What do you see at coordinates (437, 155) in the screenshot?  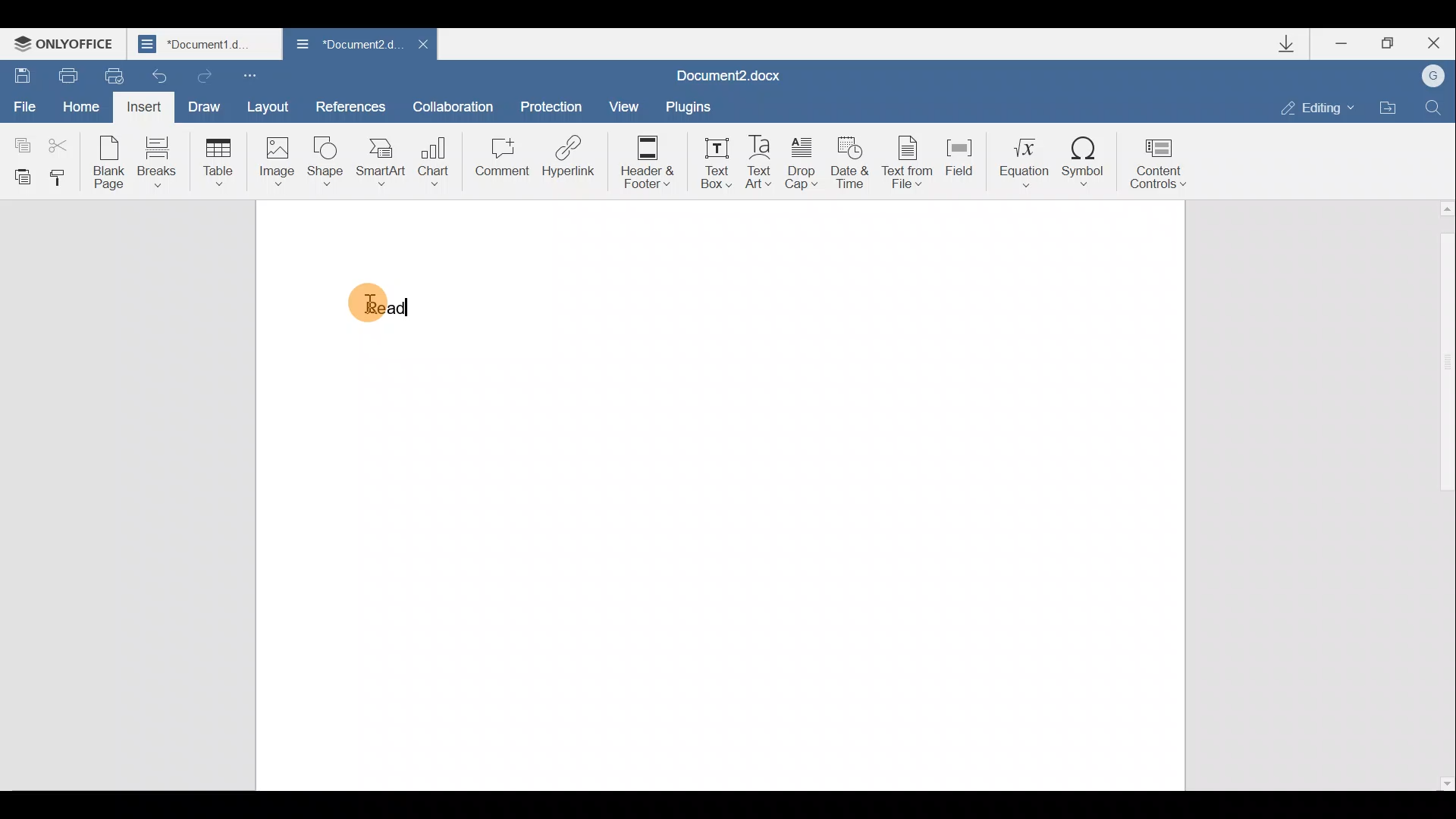 I see `Chart` at bounding box center [437, 155].